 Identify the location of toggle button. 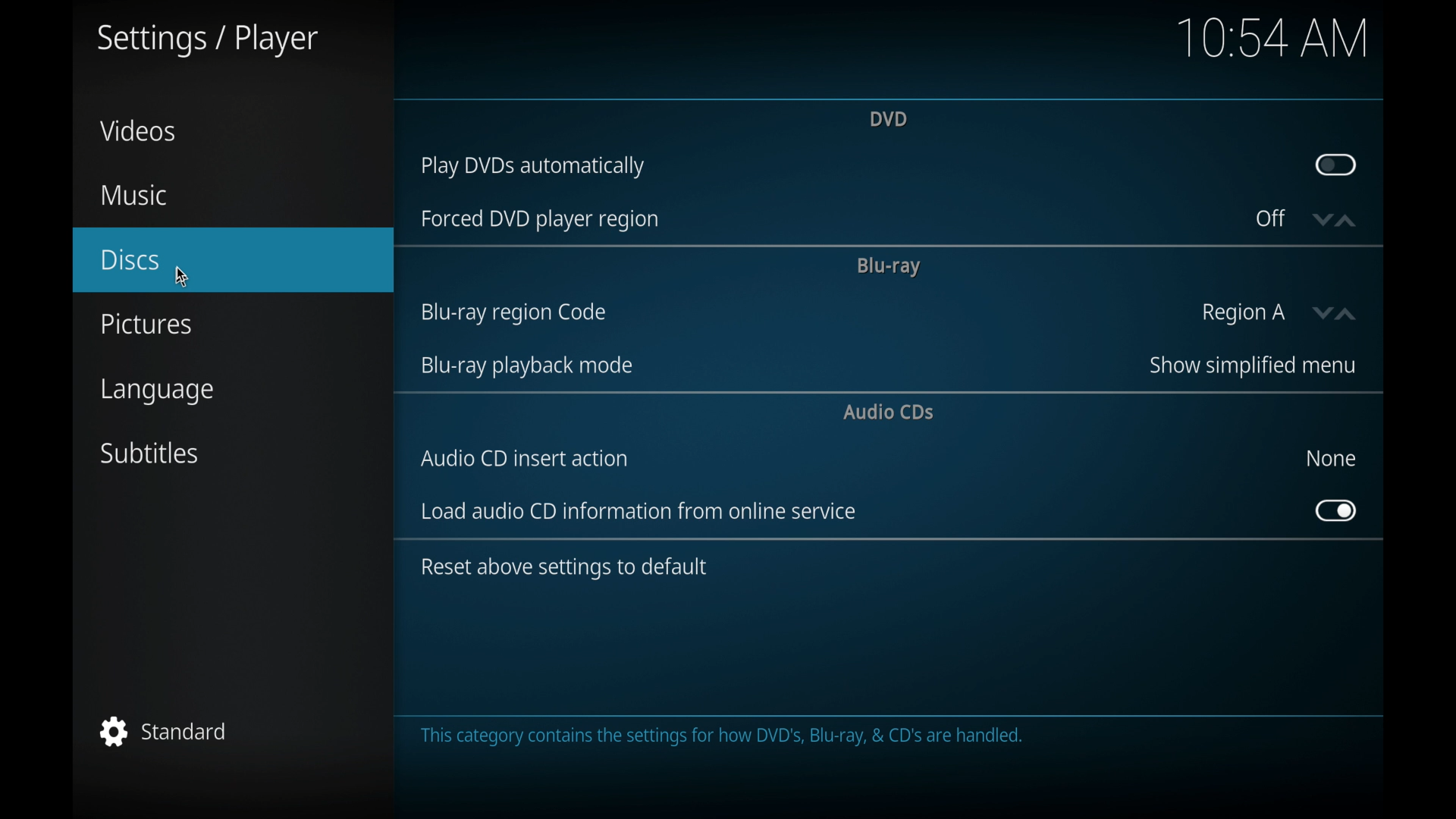
(1335, 165).